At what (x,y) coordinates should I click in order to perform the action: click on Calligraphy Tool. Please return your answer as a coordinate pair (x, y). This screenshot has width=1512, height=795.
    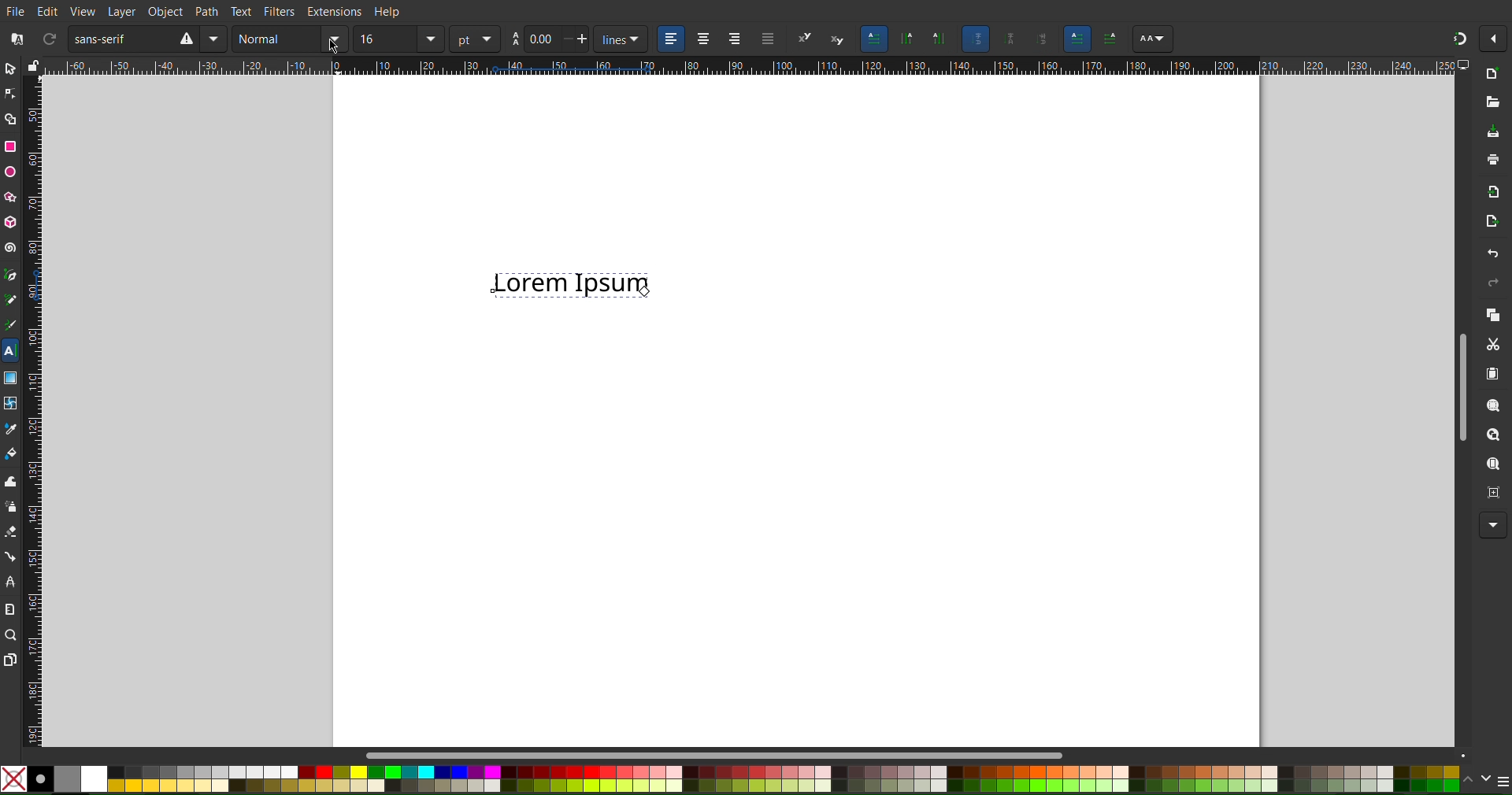
    Looking at the image, I should click on (11, 326).